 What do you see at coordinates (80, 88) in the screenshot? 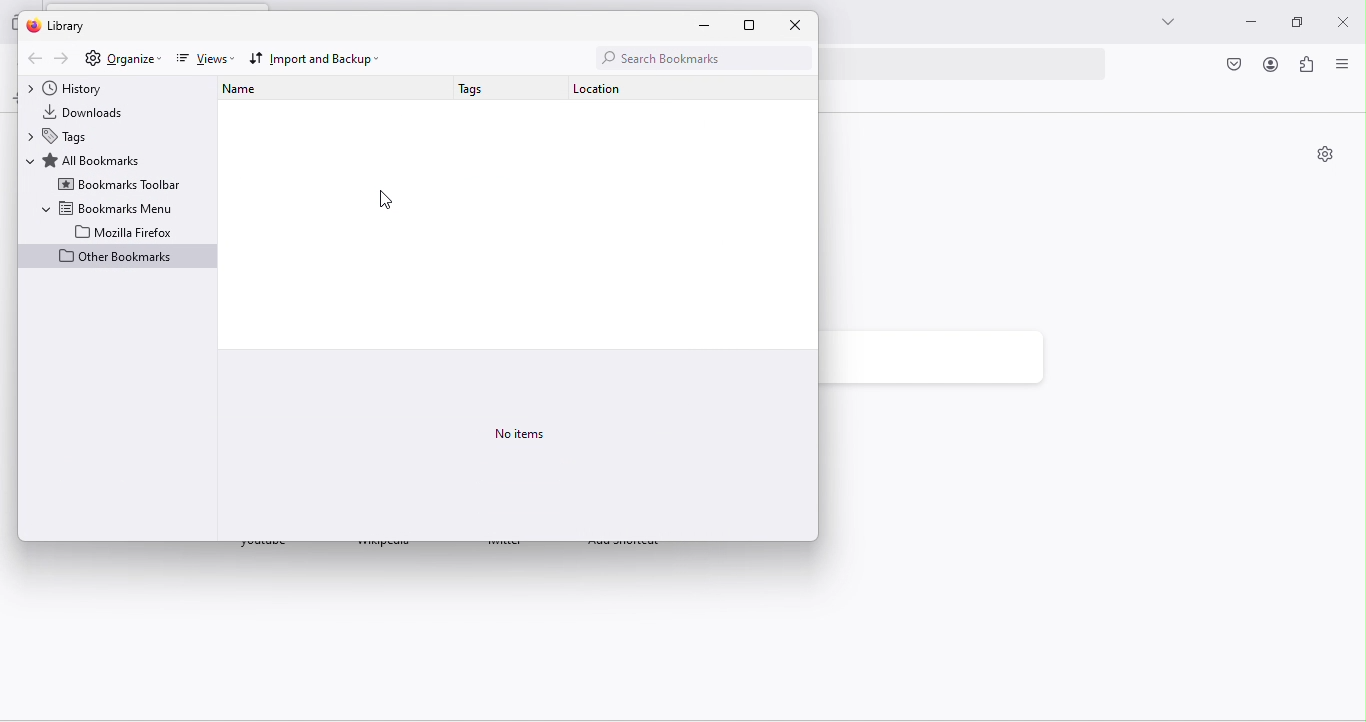
I see `history` at bounding box center [80, 88].